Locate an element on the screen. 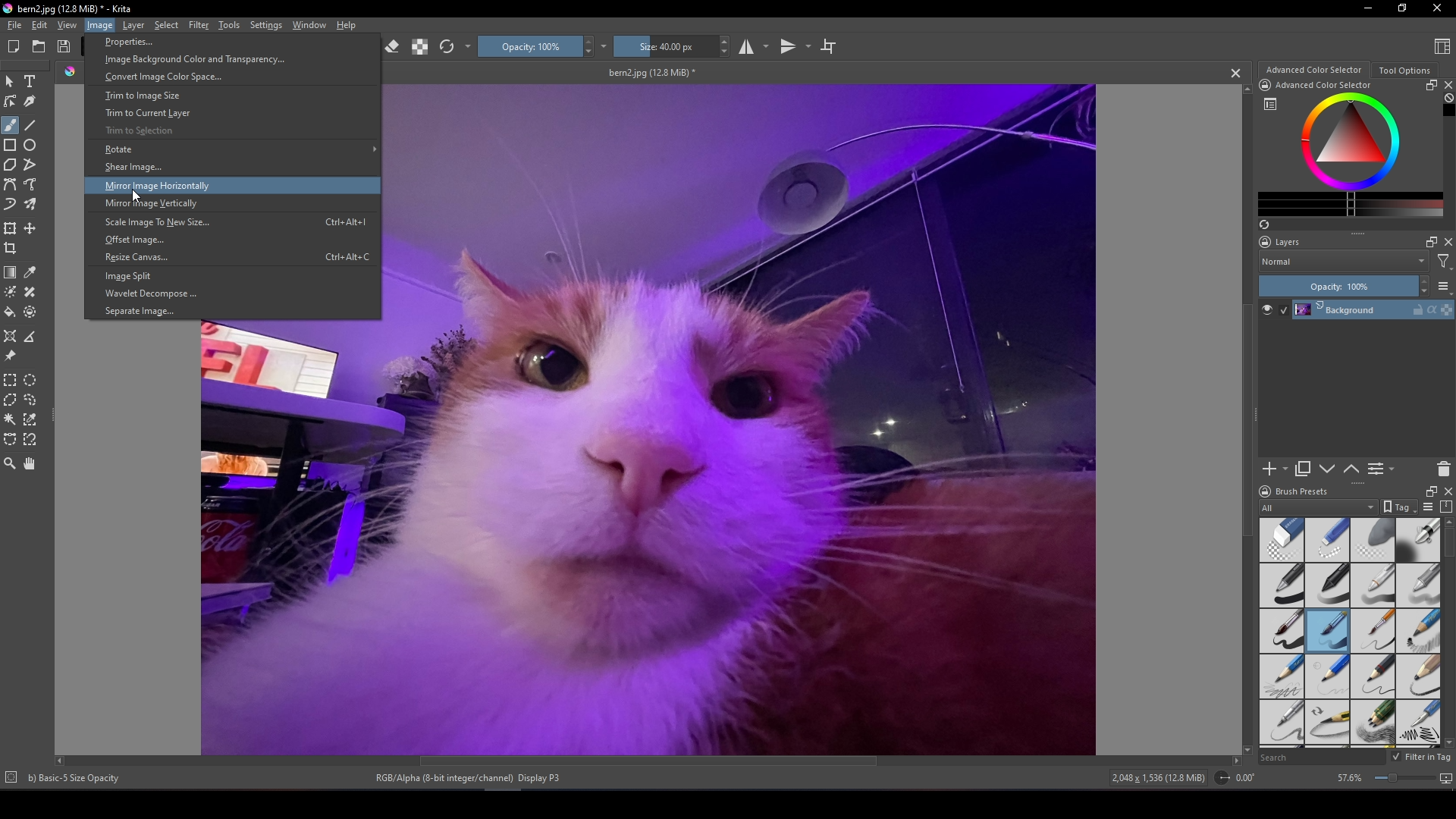 This screenshot has width=1456, height=819. Colector symbol is located at coordinates (1270, 104).